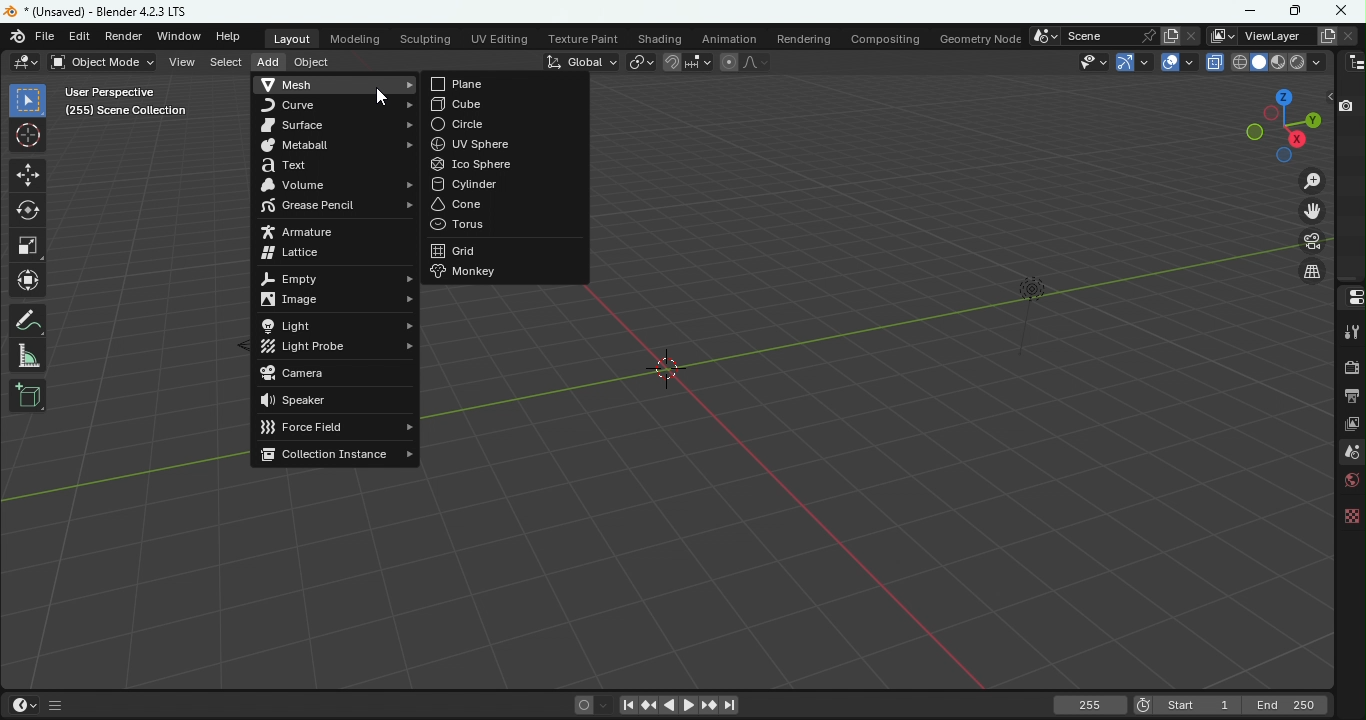 The width and height of the screenshot is (1366, 720). What do you see at coordinates (29, 177) in the screenshot?
I see `Move` at bounding box center [29, 177].